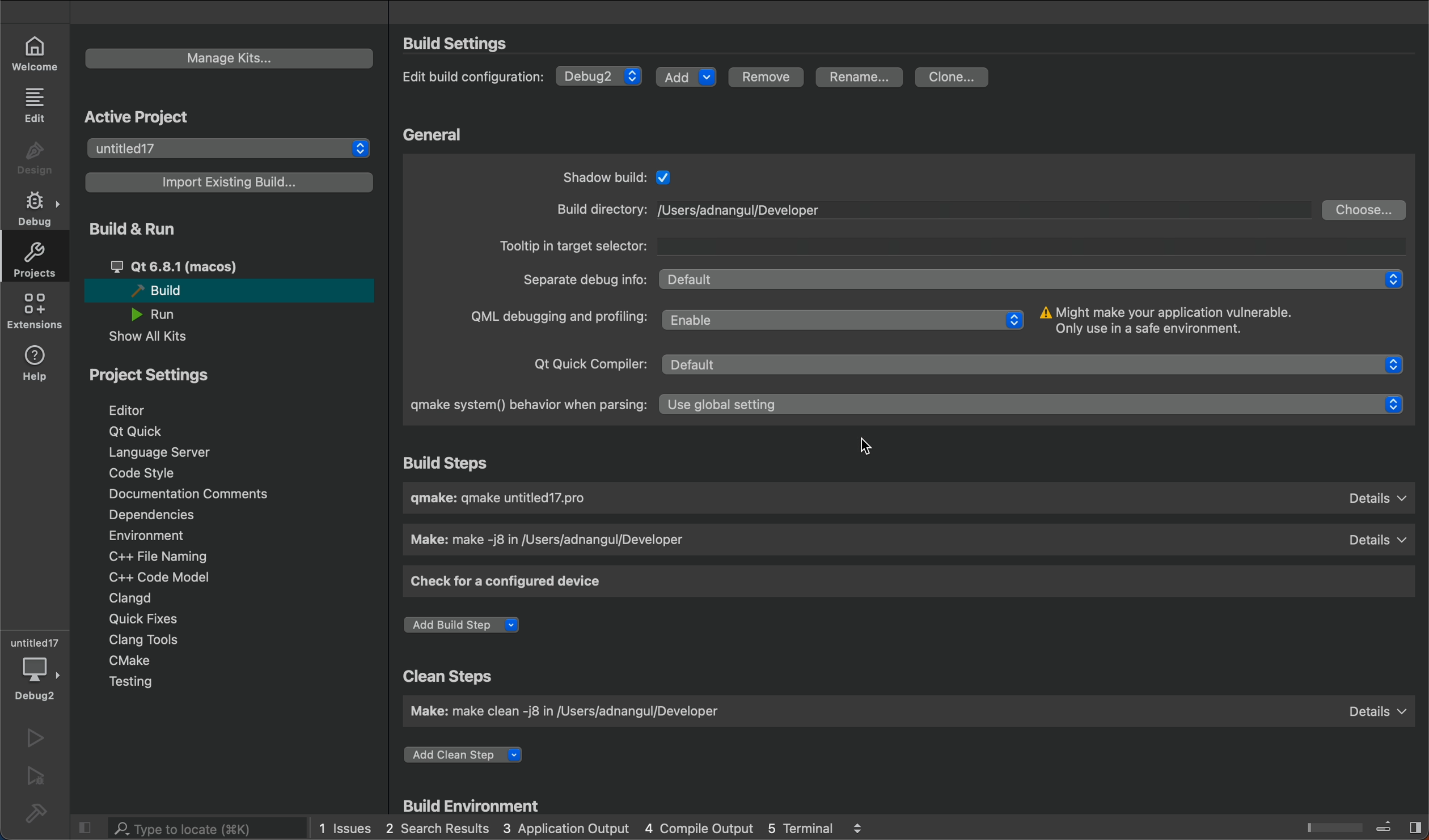 This screenshot has width=1429, height=840. Describe the element at coordinates (853, 447) in the screenshot. I see `cursor` at that location.